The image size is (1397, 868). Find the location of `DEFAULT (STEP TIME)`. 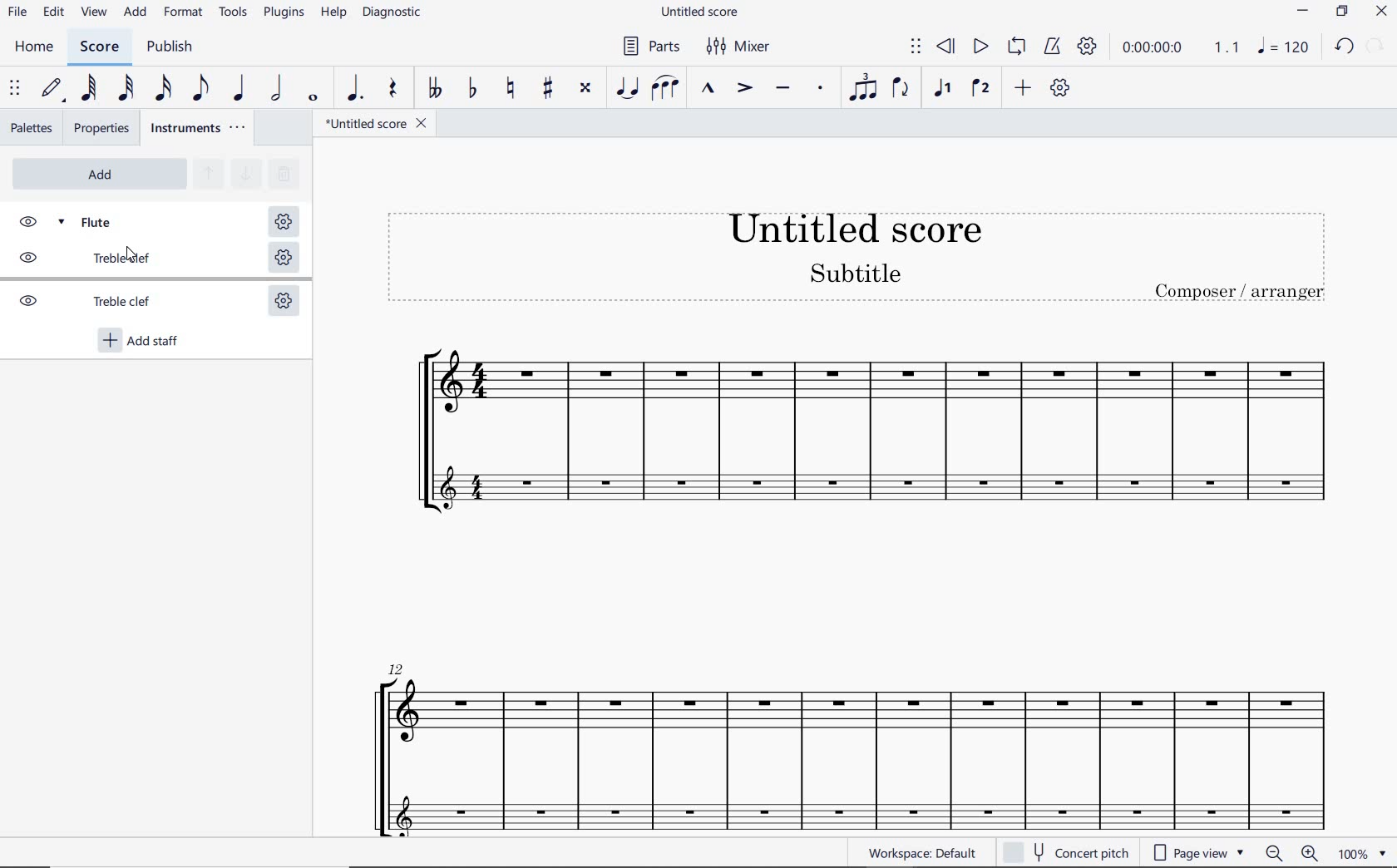

DEFAULT (STEP TIME) is located at coordinates (52, 89).